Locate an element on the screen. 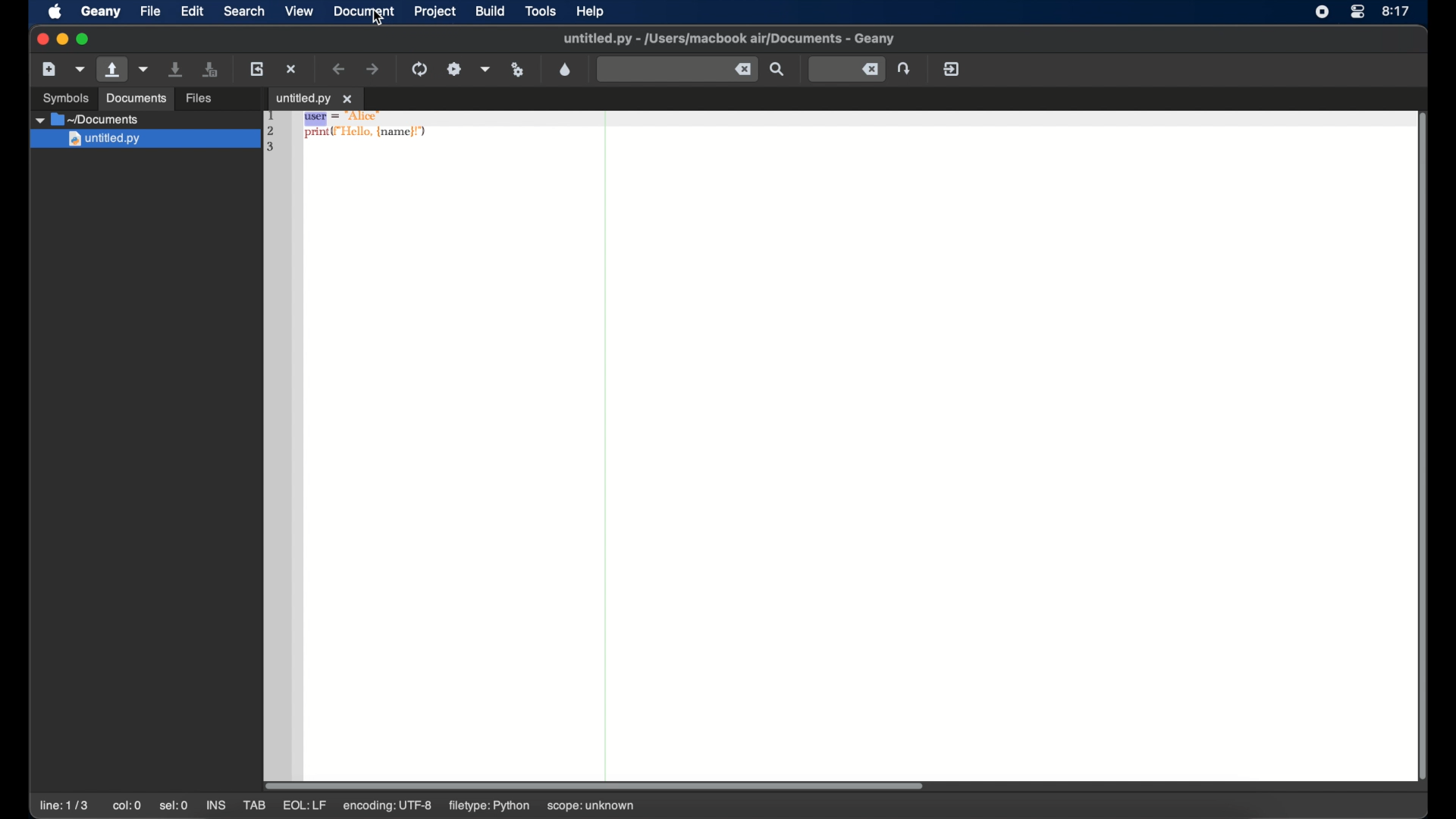 Image resolution: width=1456 pixels, height=819 pixels. help is located at coordinates (590, 11).